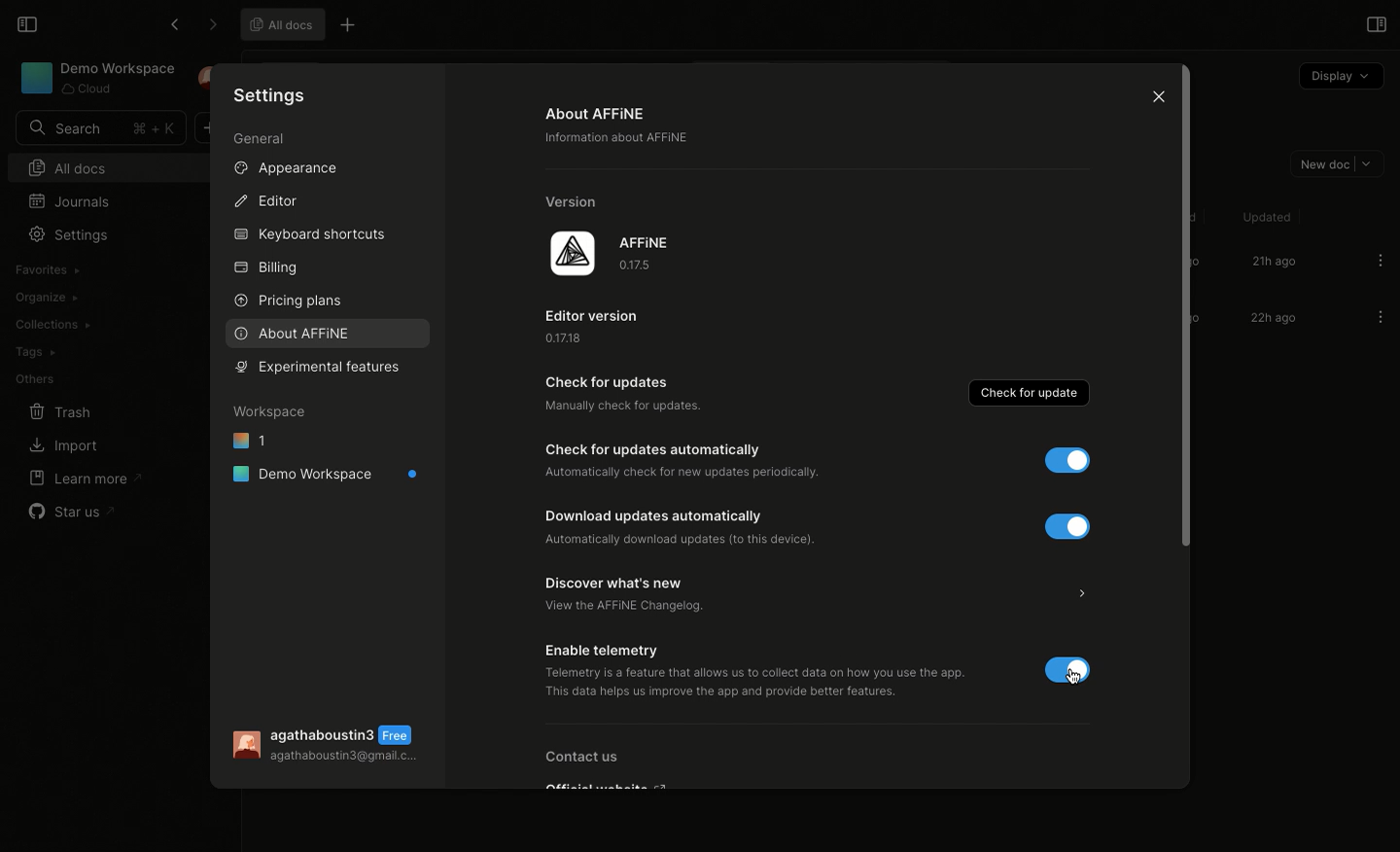 Image resolution: width=1400 pixels, height=852 pixels. What do you see at coordinates (1071, 680) in the screenshot?
I see `cursor` at bounding box center [1071, 680].